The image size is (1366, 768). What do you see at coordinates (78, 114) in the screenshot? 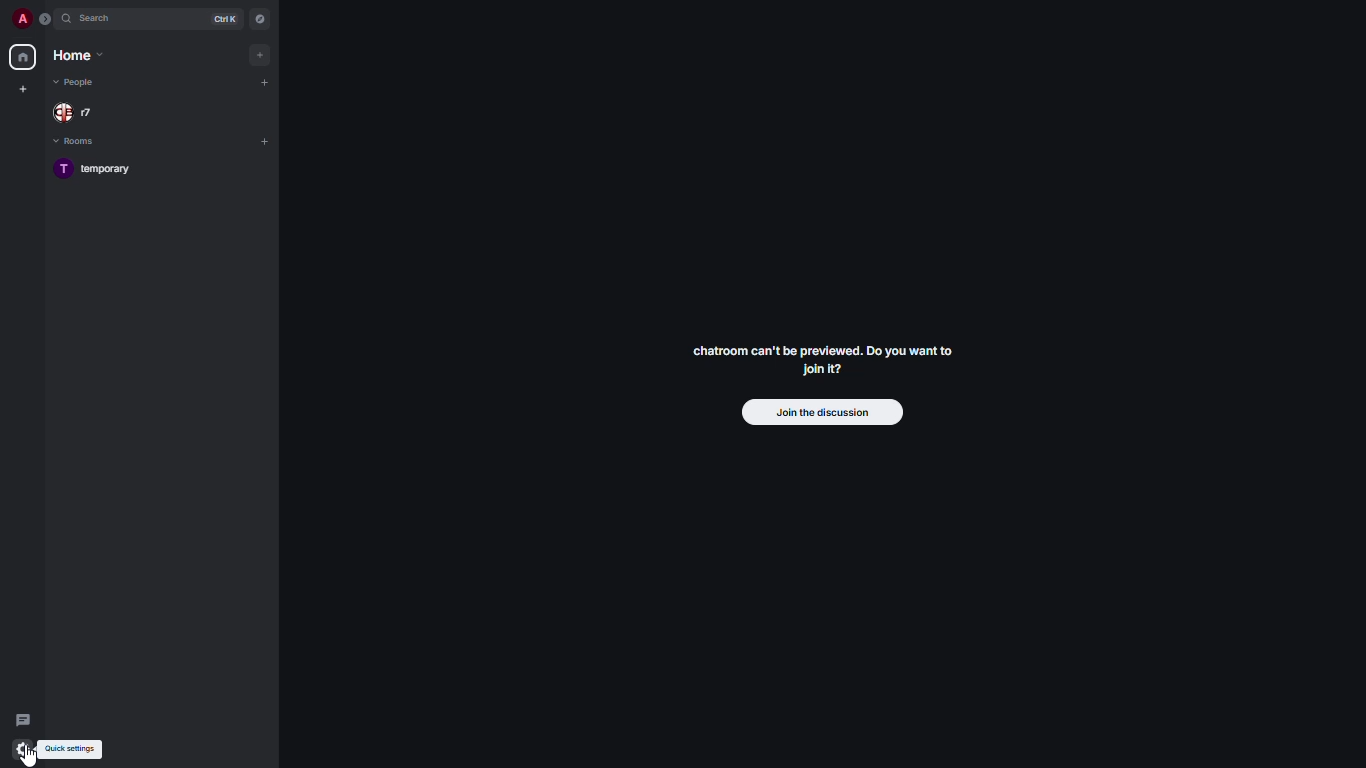
I see `people` at bounding box center [78, 114].